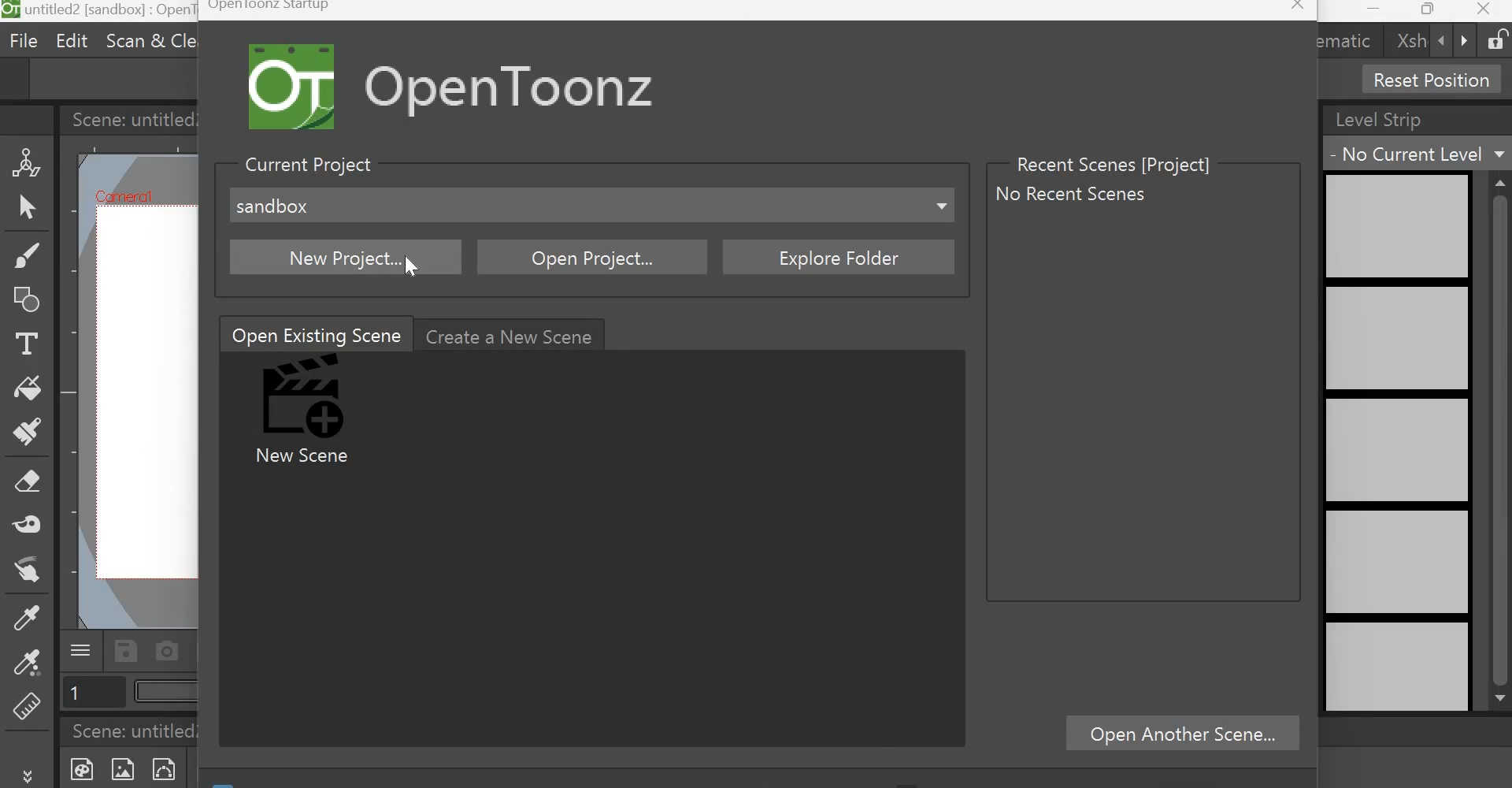  I want to click on Edit, so click(69, 40).